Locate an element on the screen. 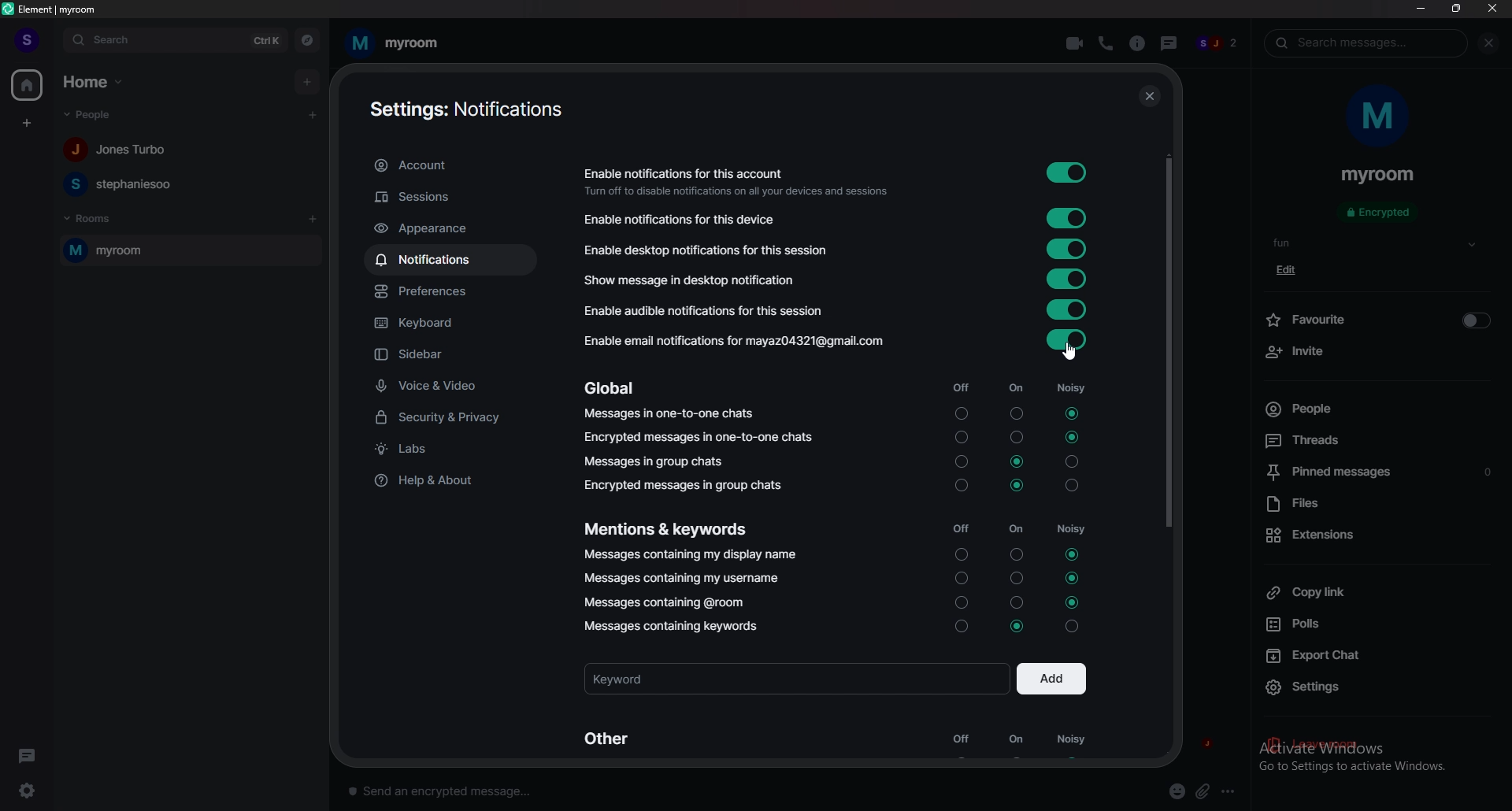 The width and height of the screenshot is (1512, 811). show is located at coordinates (1472, 245).